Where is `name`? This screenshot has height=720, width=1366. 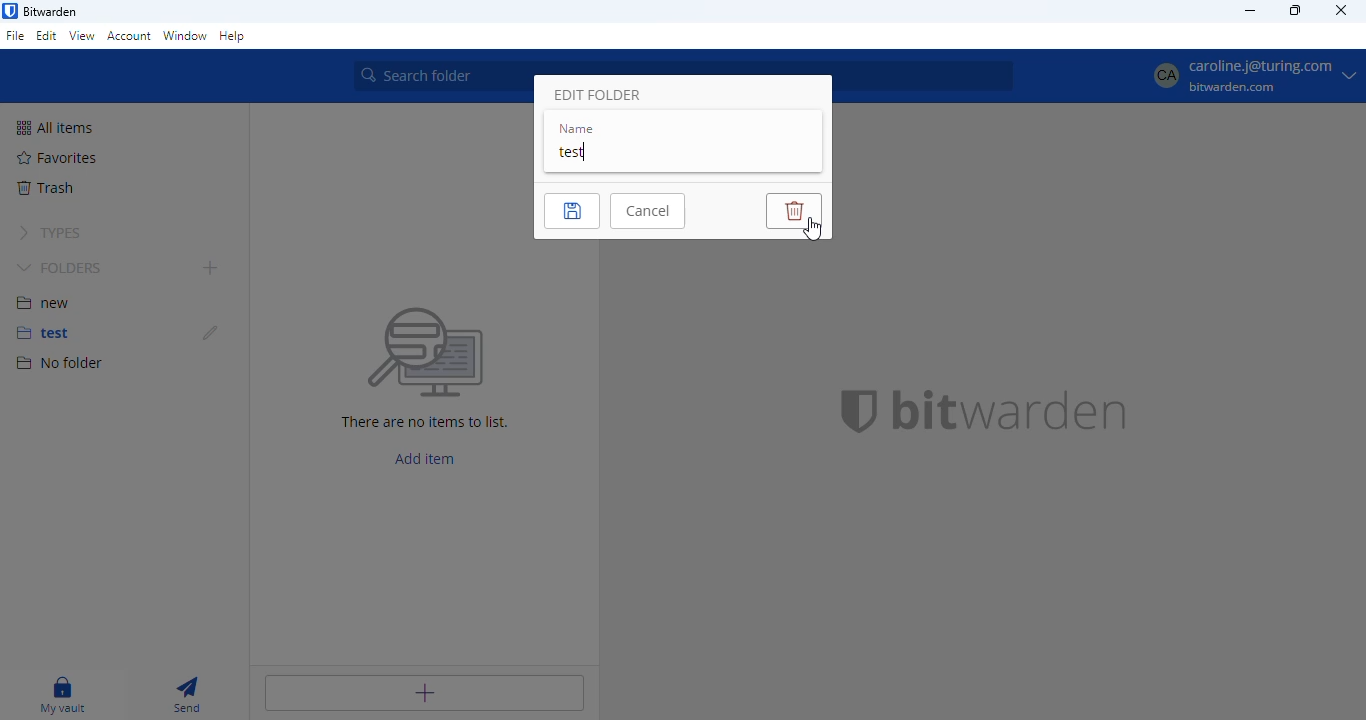 name is located at coordinates (577, 129).